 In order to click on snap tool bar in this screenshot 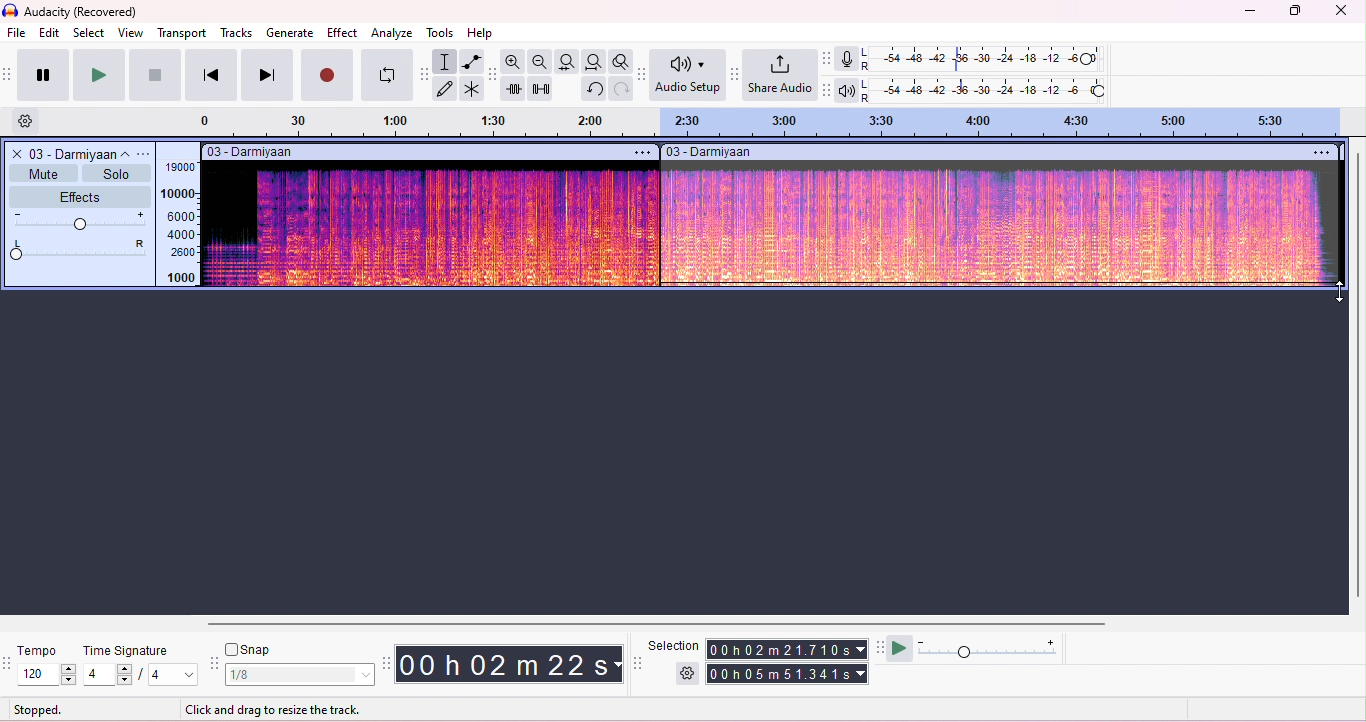, I will do `click(217, 664)`.